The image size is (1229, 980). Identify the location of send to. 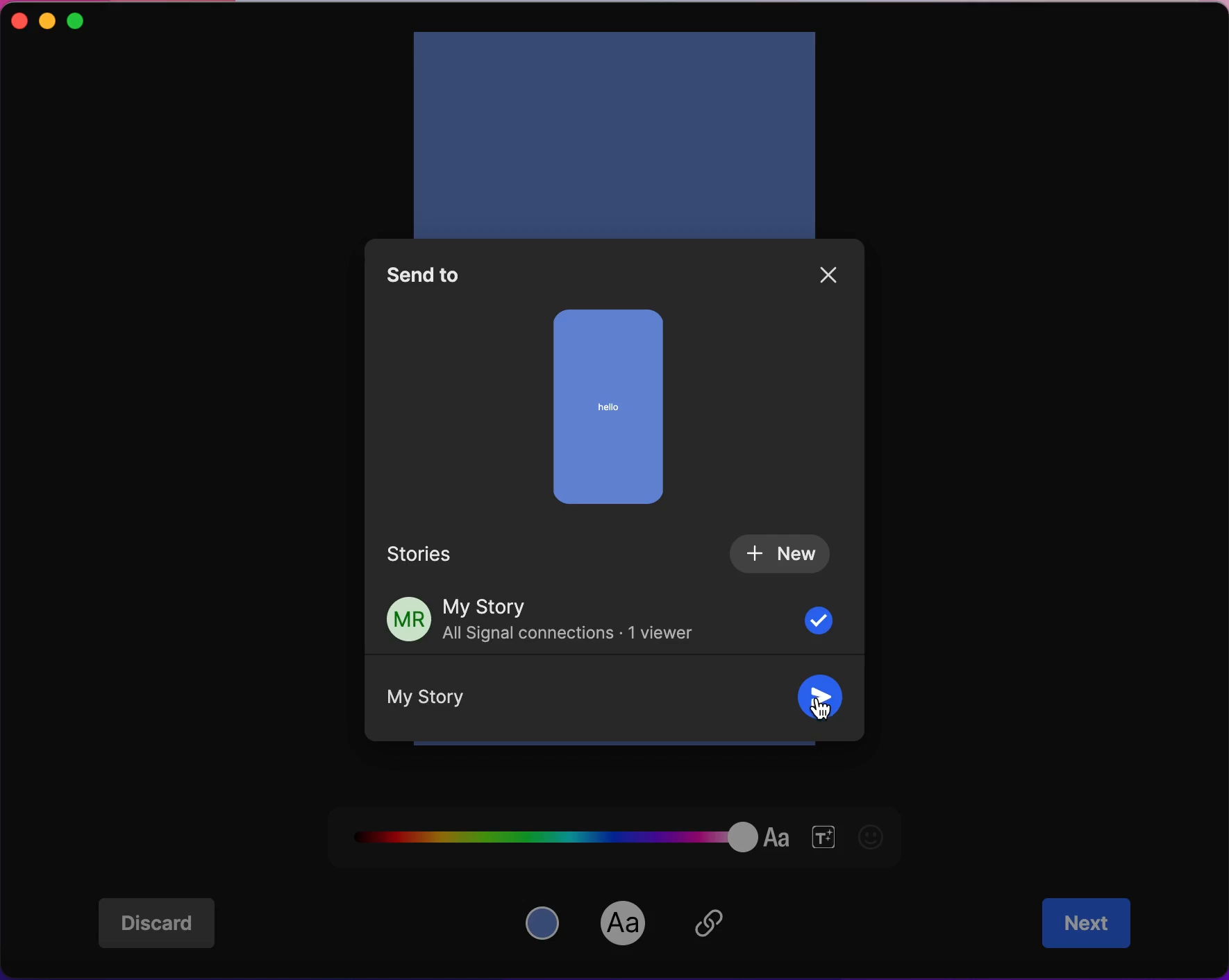
(441, 274).